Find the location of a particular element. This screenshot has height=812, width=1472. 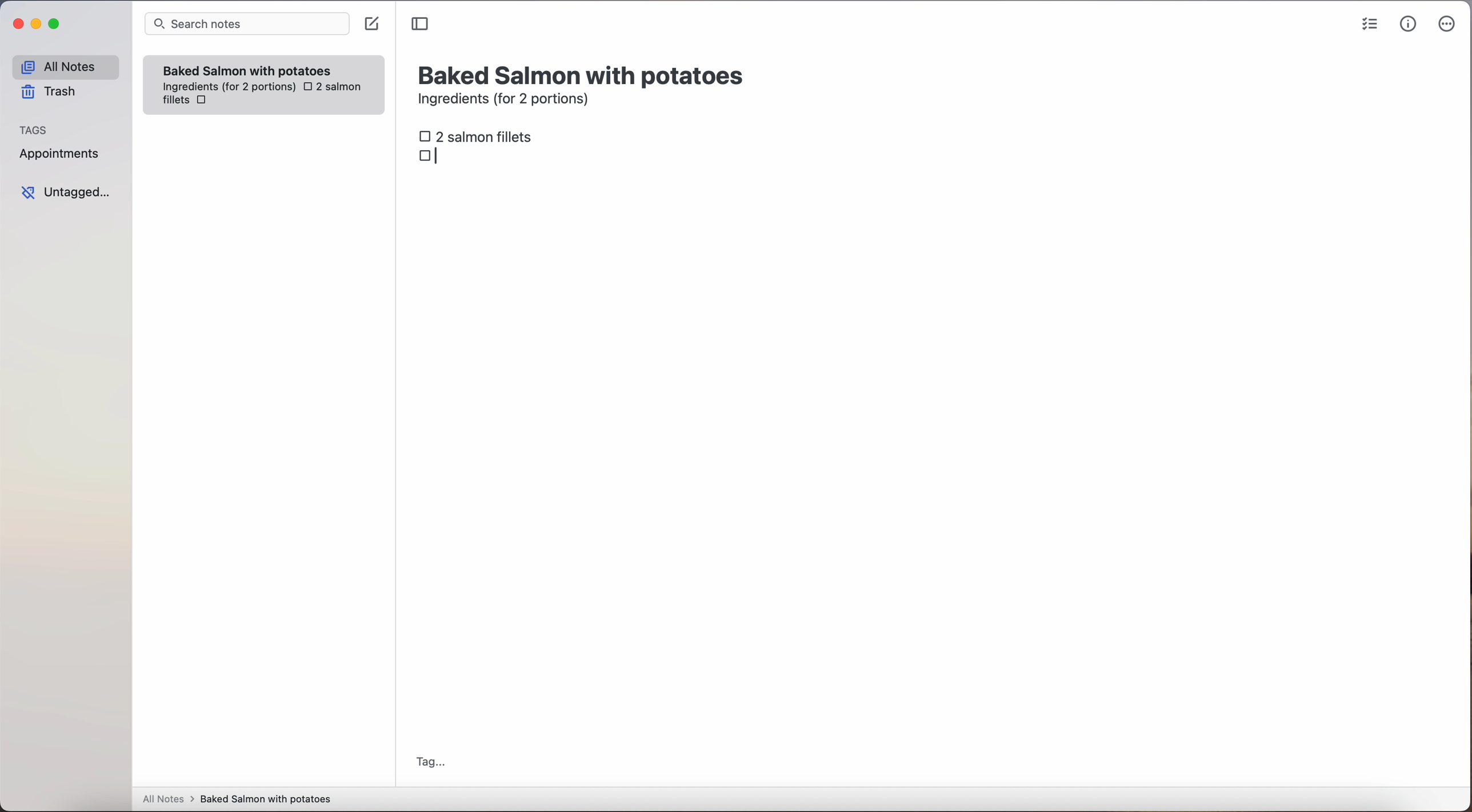

maximize is located at coordinates (56, 23).